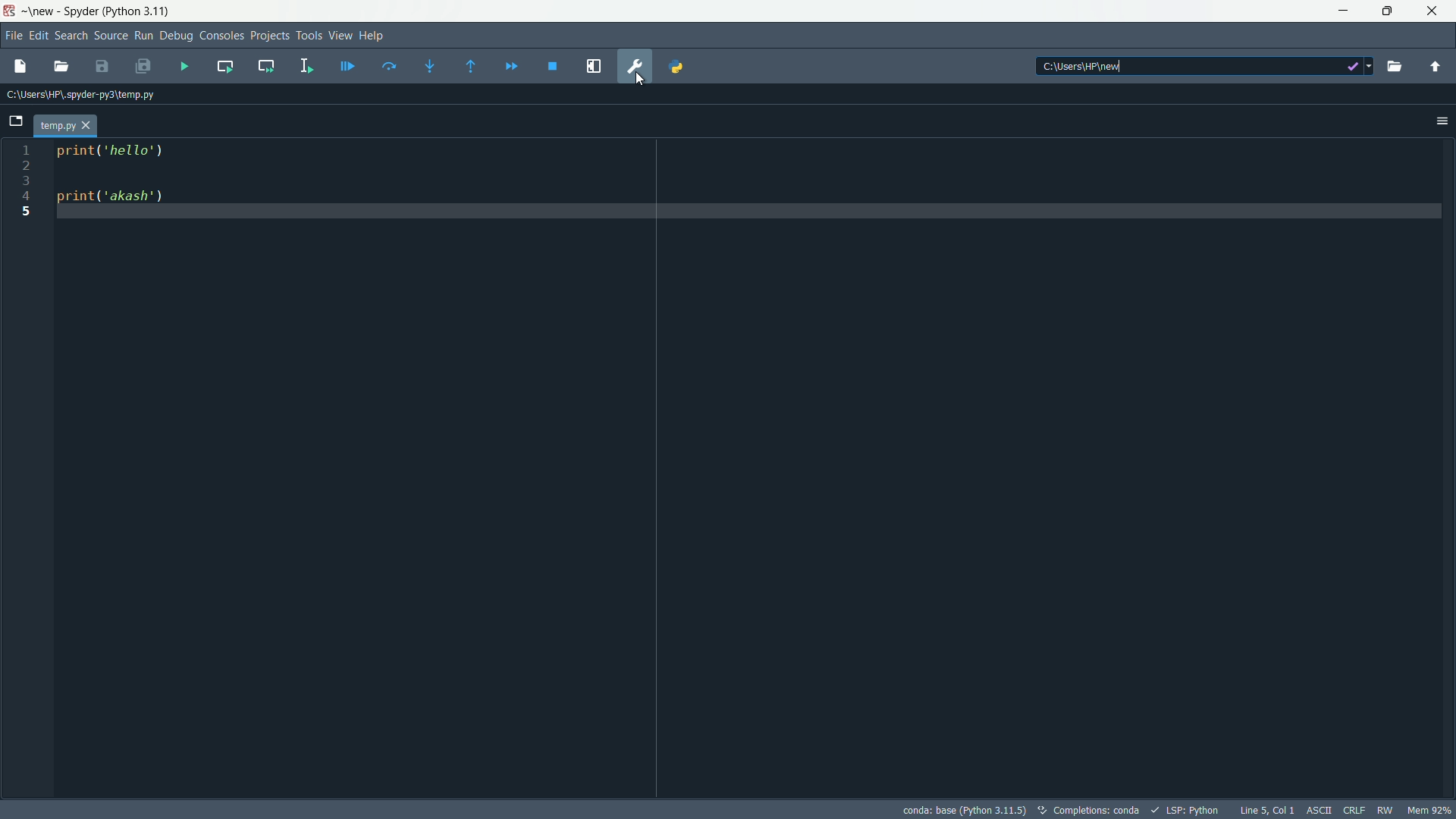  I want to click on Spyder Desktop Icon, so click(10, 12).